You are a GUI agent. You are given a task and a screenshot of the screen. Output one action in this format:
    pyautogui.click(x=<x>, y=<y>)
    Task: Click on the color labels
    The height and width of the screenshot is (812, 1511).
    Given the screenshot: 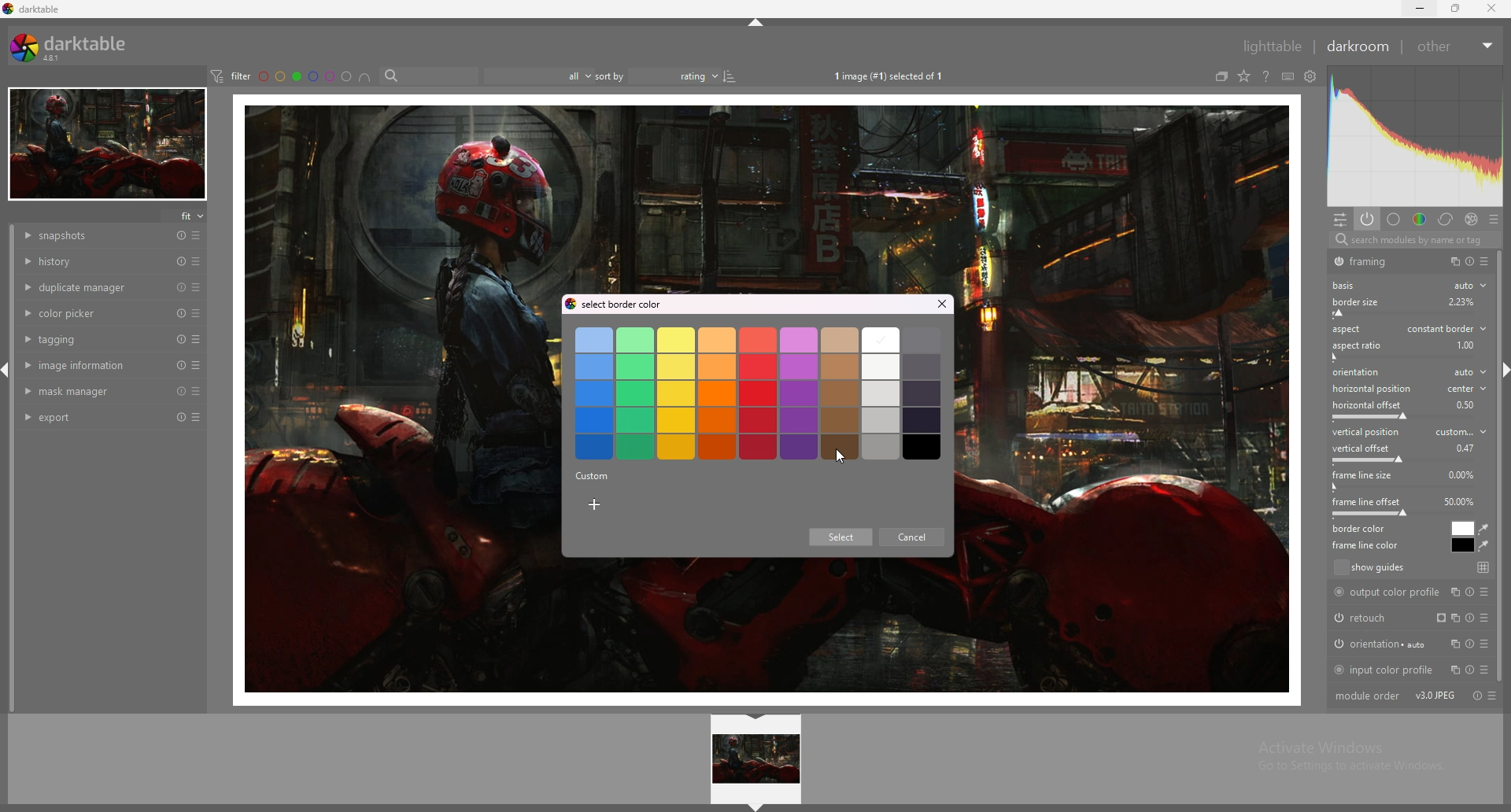 What is the action you would take?
    pyautogui.click(x=306, y=76)
    